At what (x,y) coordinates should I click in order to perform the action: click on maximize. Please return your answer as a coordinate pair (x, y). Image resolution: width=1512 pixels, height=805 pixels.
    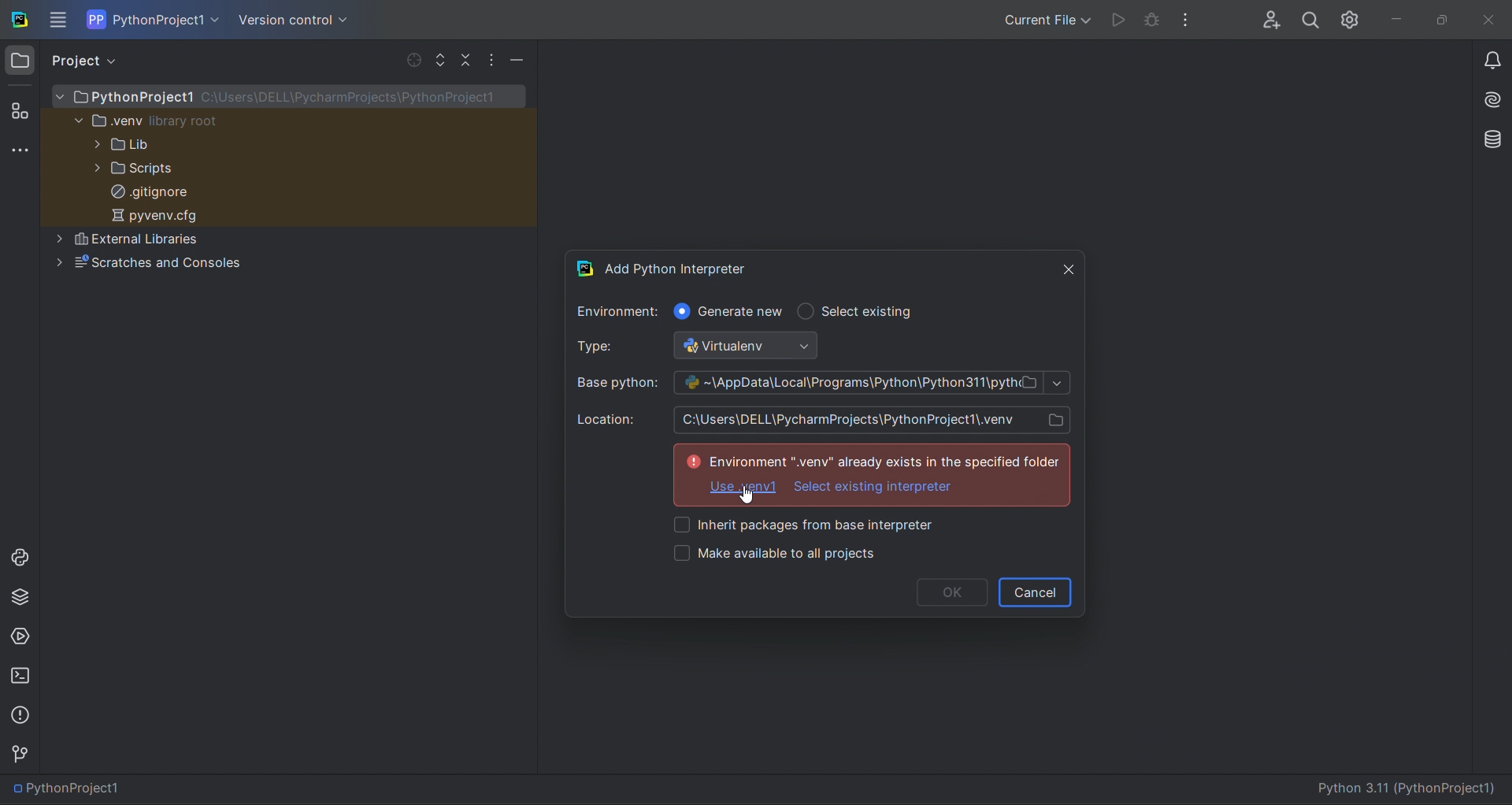
    Looking at the image, I should click on (1440, 20).